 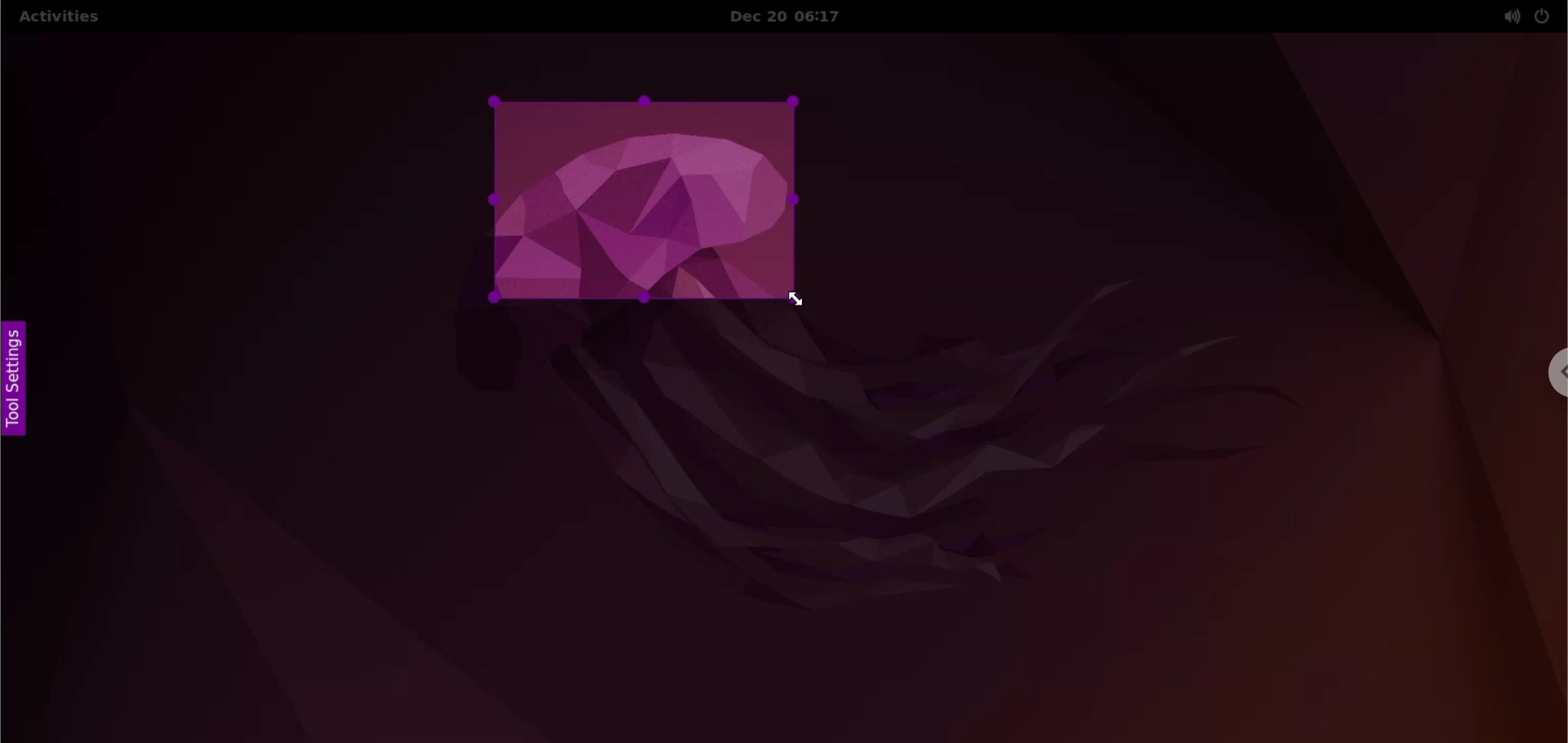 What do you see at coordinates (20, 380) in the screenshot?
I see `tool settings` at bounding box center [20, 380].